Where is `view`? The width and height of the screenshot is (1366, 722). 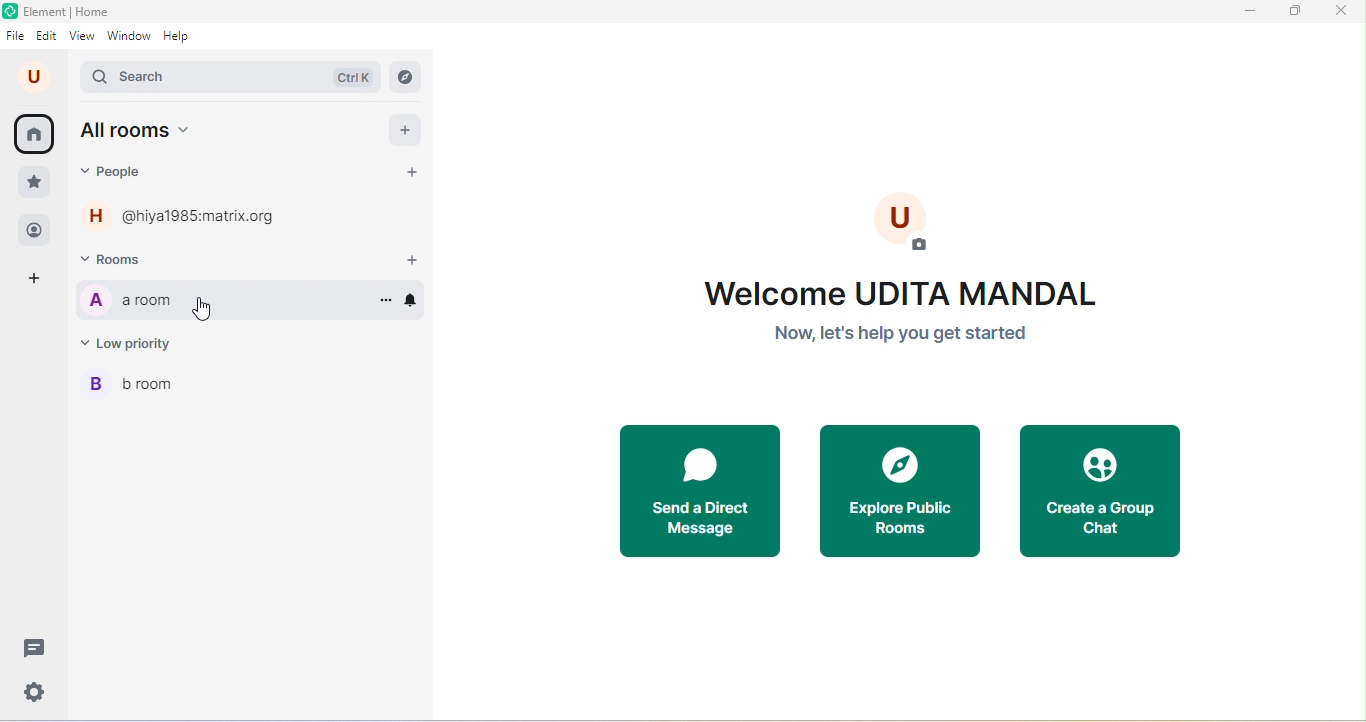
view is located at coordinates (81, 36).